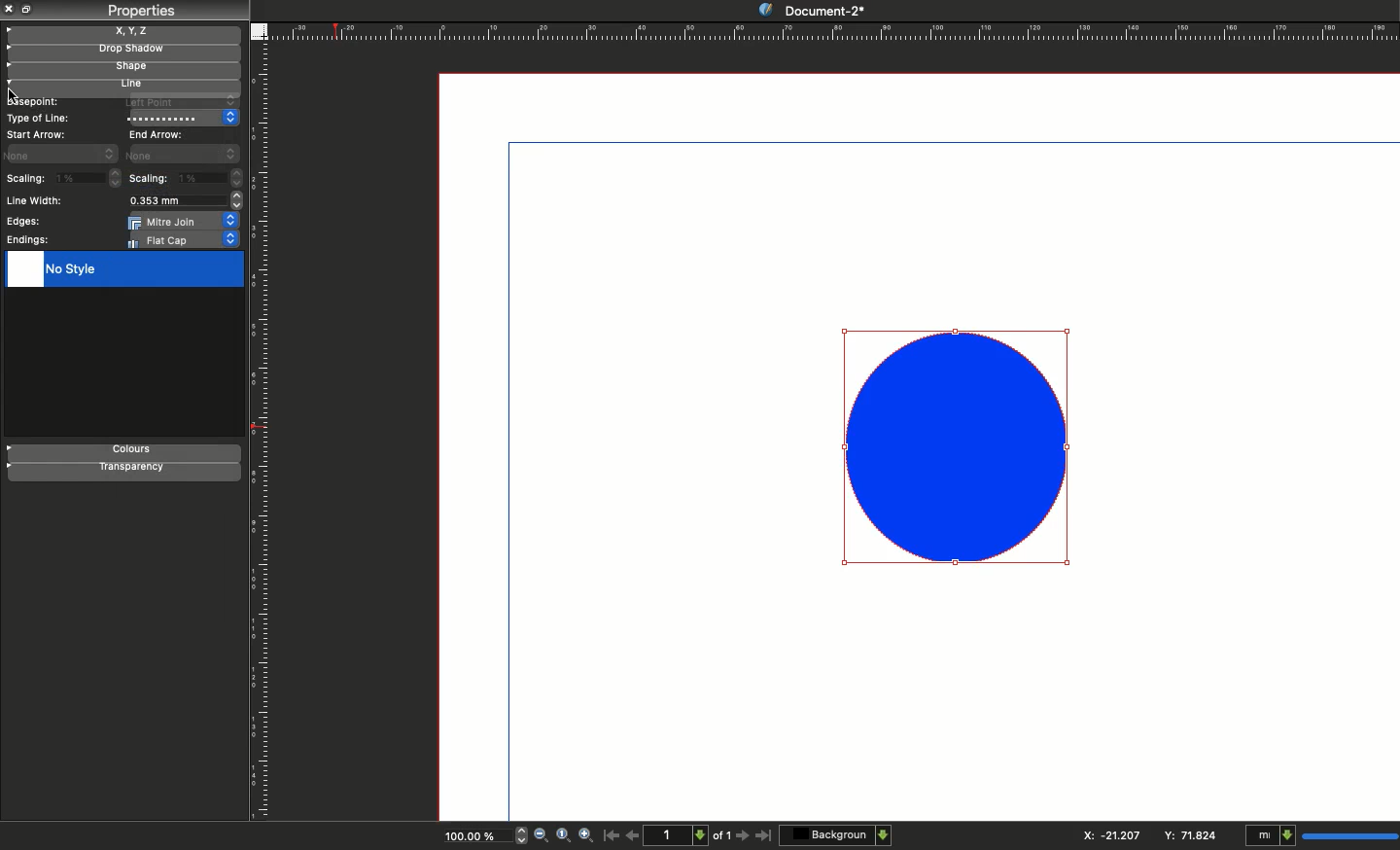  What do you see at coordinates (587, 836) in the screenshot?
I see `Zoom in` at bounding box center [587, 836].